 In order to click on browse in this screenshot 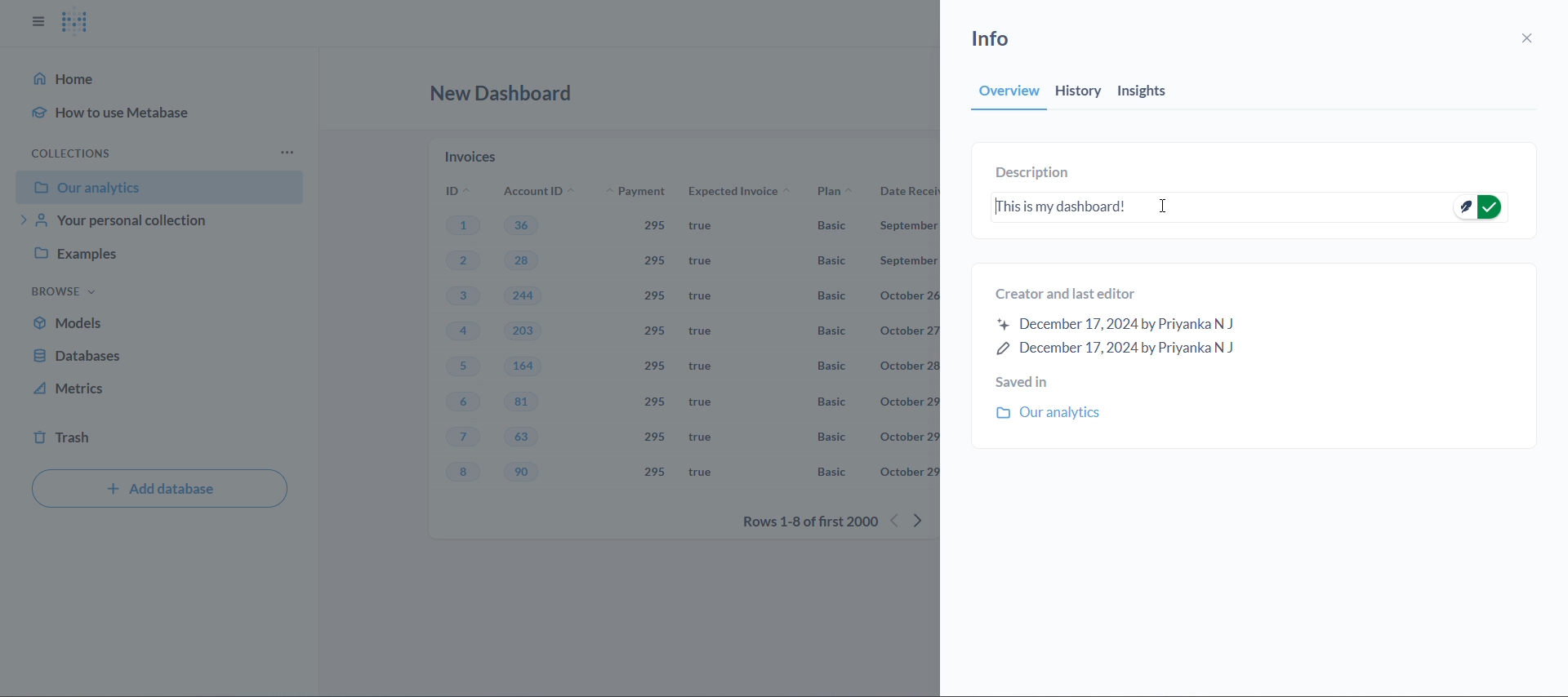, I will do `click(64, 291)`.